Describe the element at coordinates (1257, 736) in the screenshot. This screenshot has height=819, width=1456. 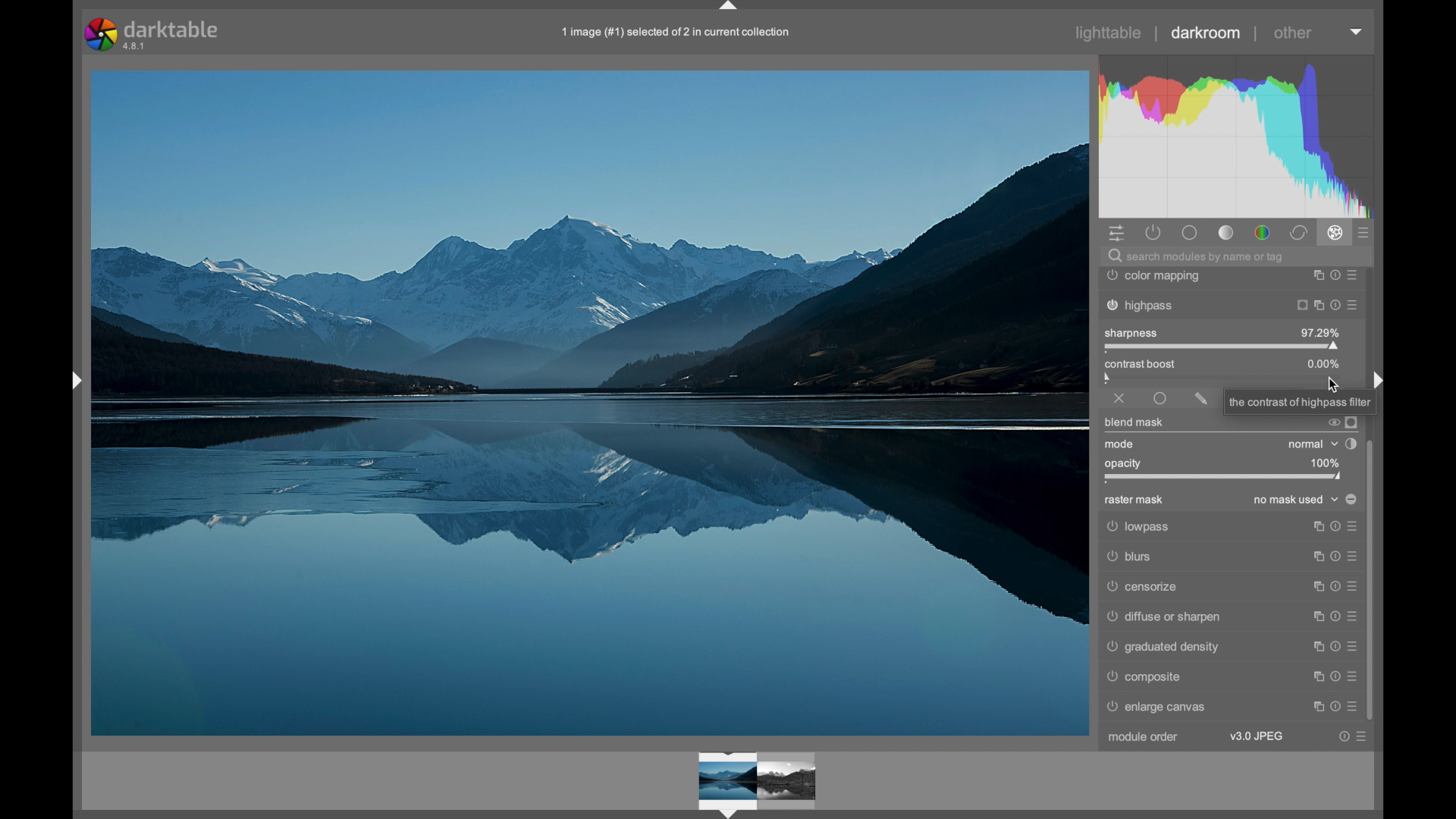
I see `v3.0 jpeg` at that location.